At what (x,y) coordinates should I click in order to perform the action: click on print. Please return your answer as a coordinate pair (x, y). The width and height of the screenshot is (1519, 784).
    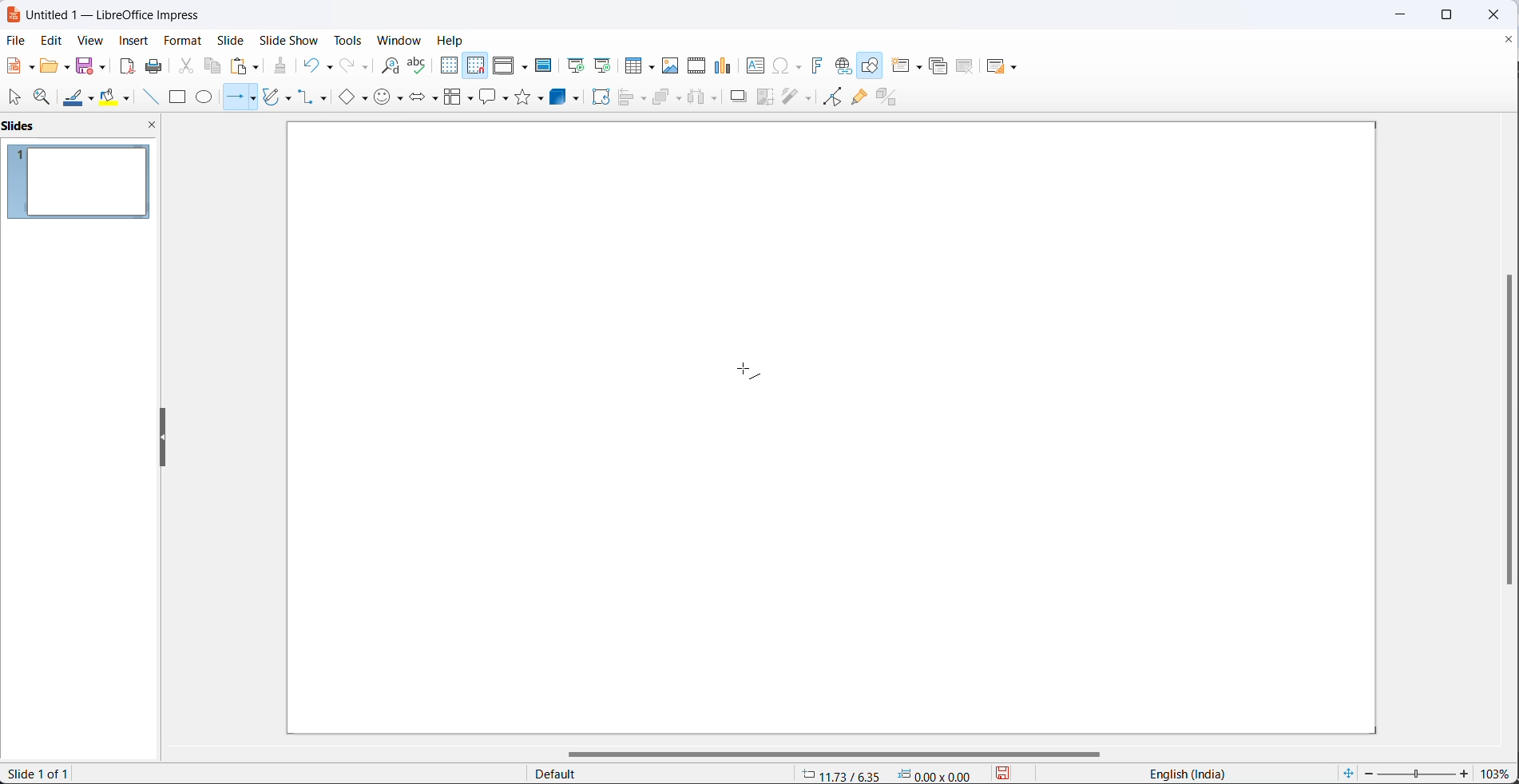
    Looking at the image, I should click on (154, 65).